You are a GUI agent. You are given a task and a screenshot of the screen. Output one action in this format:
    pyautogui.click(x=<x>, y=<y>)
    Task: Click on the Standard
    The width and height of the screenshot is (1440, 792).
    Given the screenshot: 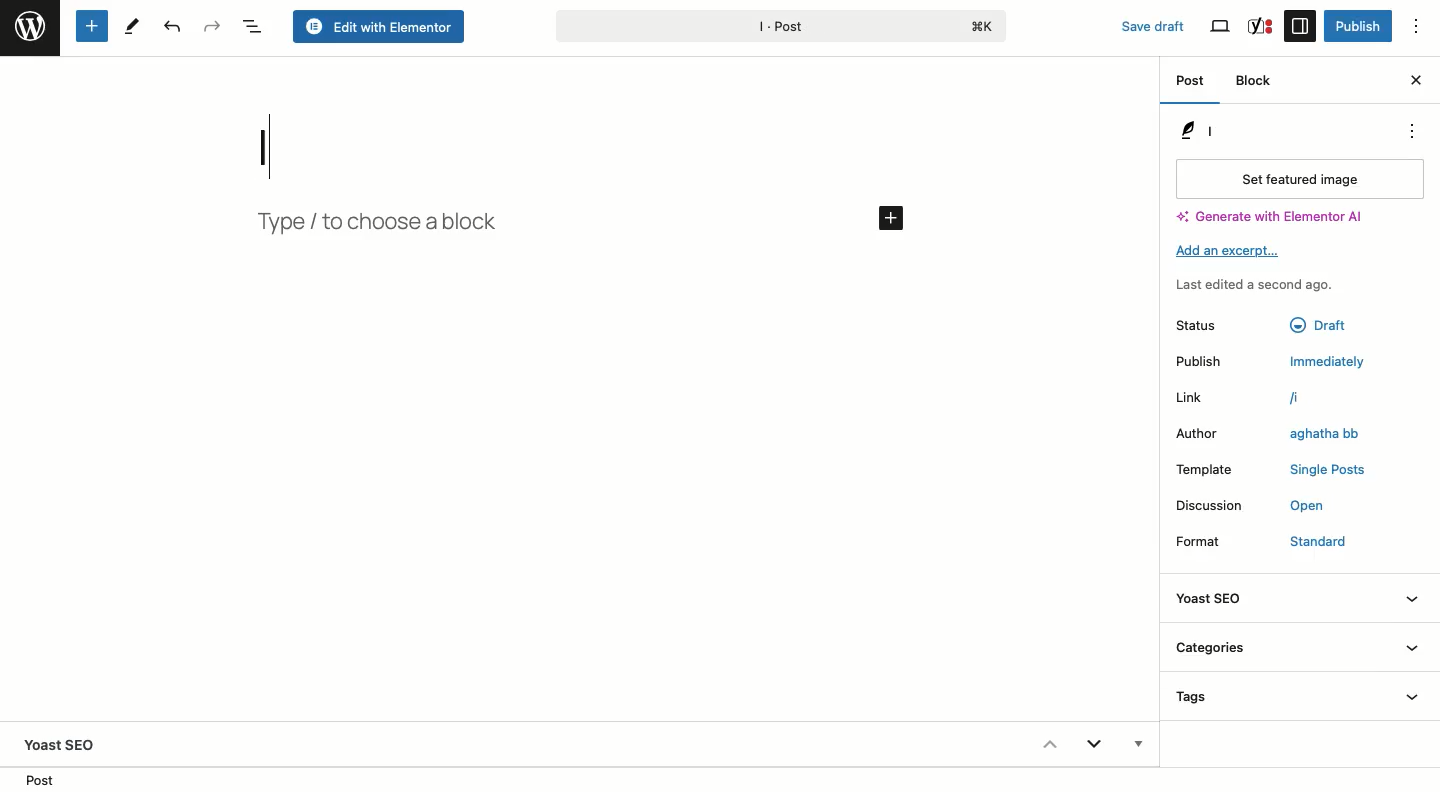 What is the action you would take?
    pyautogui.click(x=1312, y=543)
    